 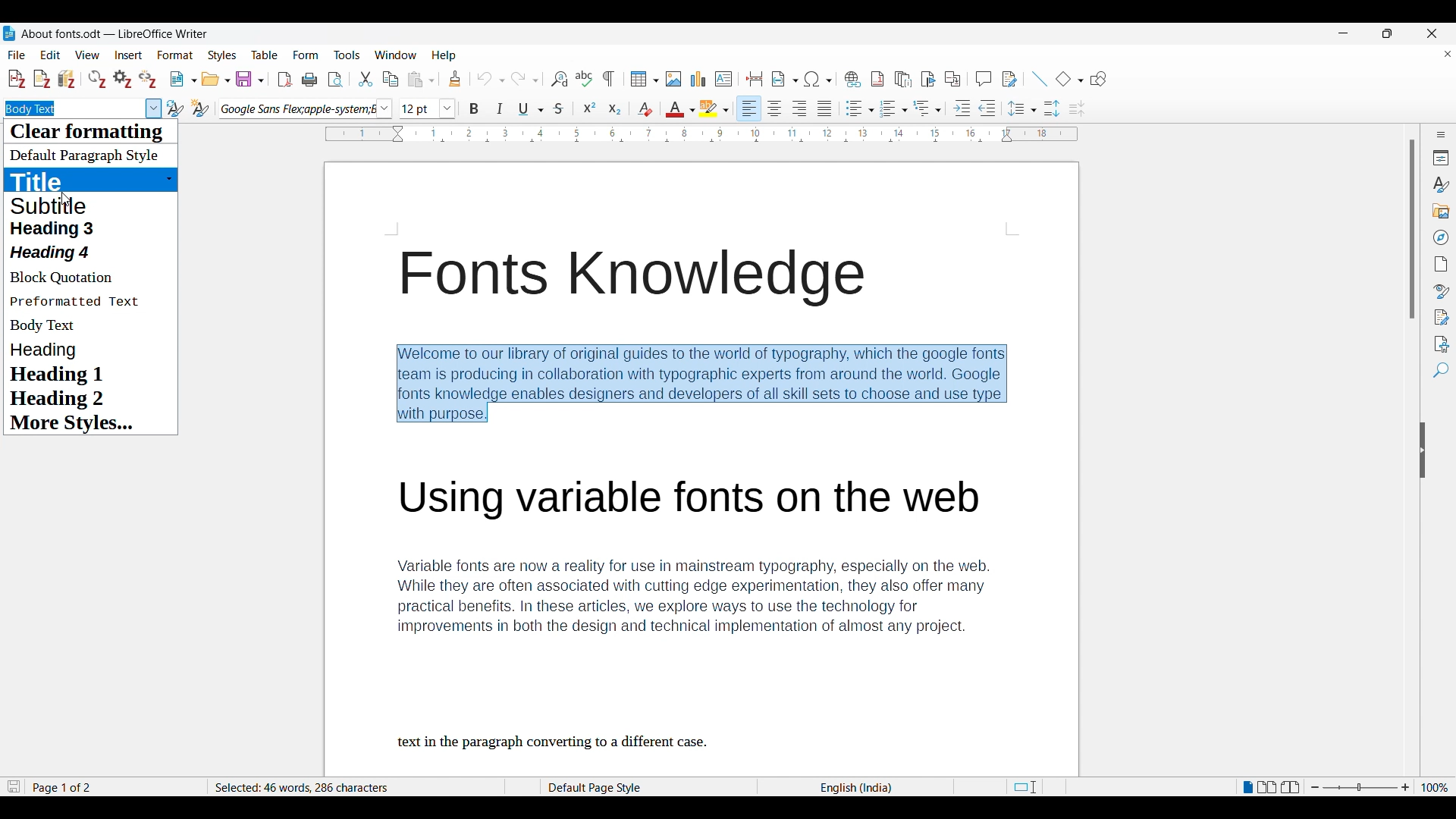 I want to click on Insert hyperlink, so click(x=853, y=79).